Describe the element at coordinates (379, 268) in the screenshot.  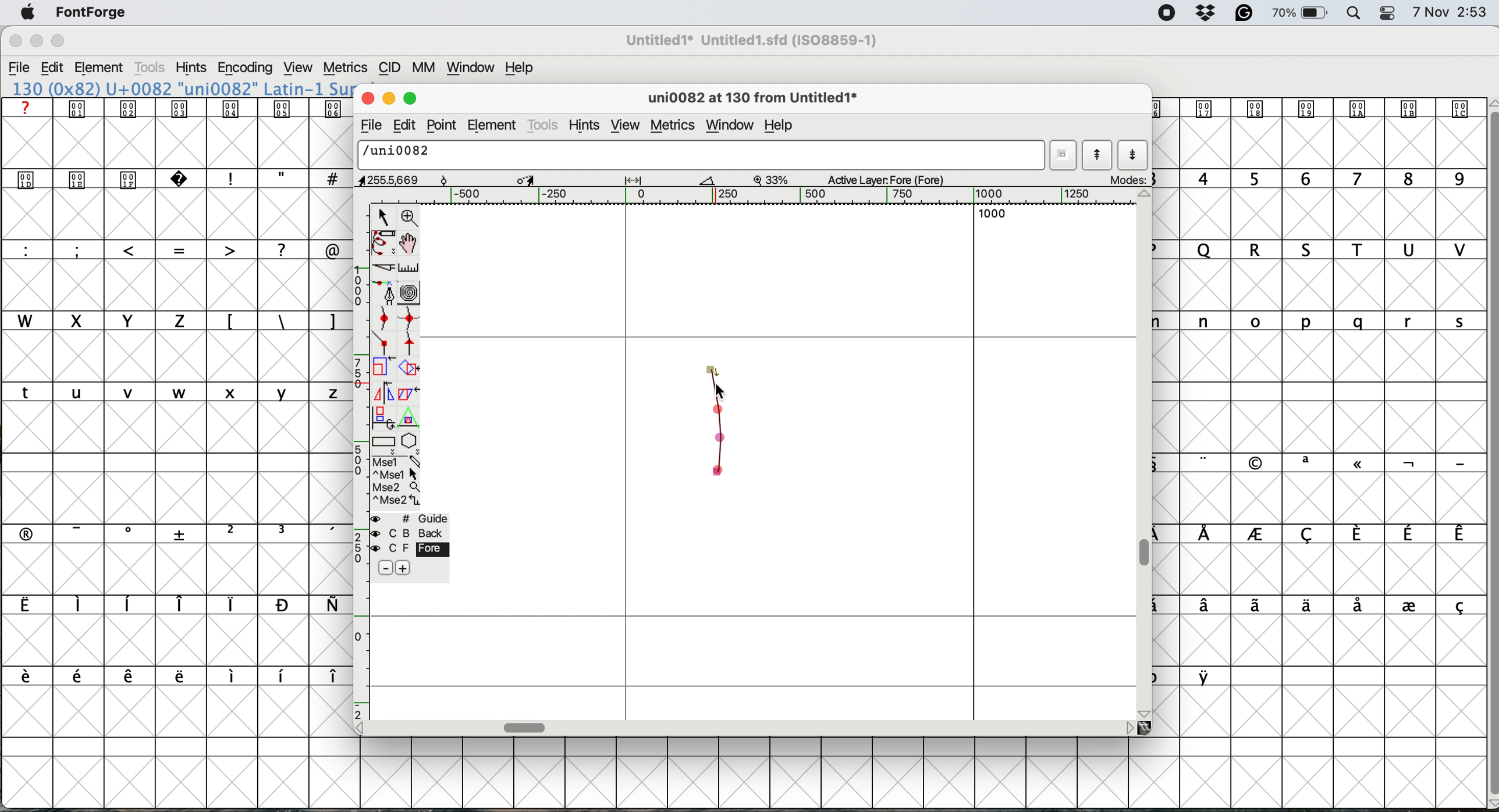
I see `cut splines in two` at that location.